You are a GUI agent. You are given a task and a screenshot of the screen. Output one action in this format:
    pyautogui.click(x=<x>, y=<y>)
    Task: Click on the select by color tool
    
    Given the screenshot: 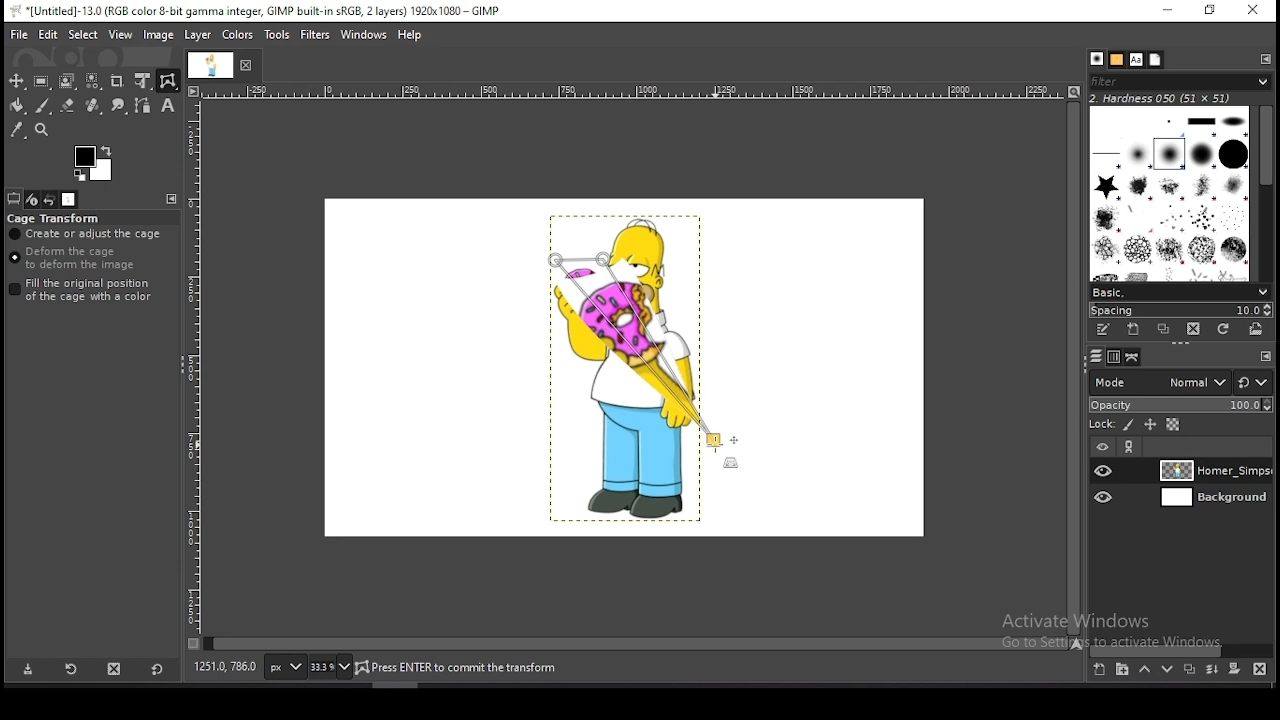 What is the action you would take?
    pyautogui.click(x=93, y=81)
    